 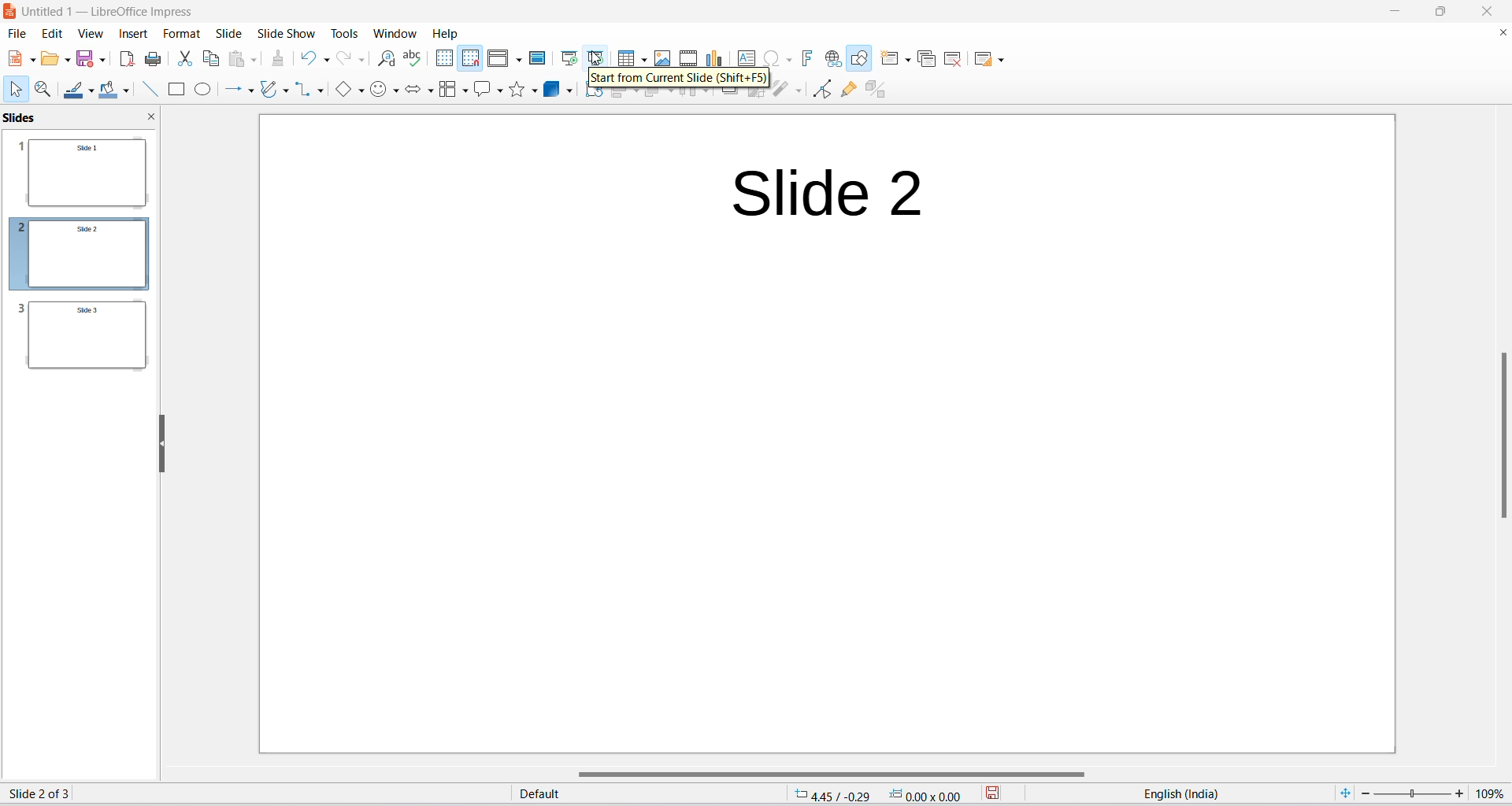 What do you see at coordinates (713, 54) in the screenshot?
I see `insert chart` at bounding box center [713, 54].